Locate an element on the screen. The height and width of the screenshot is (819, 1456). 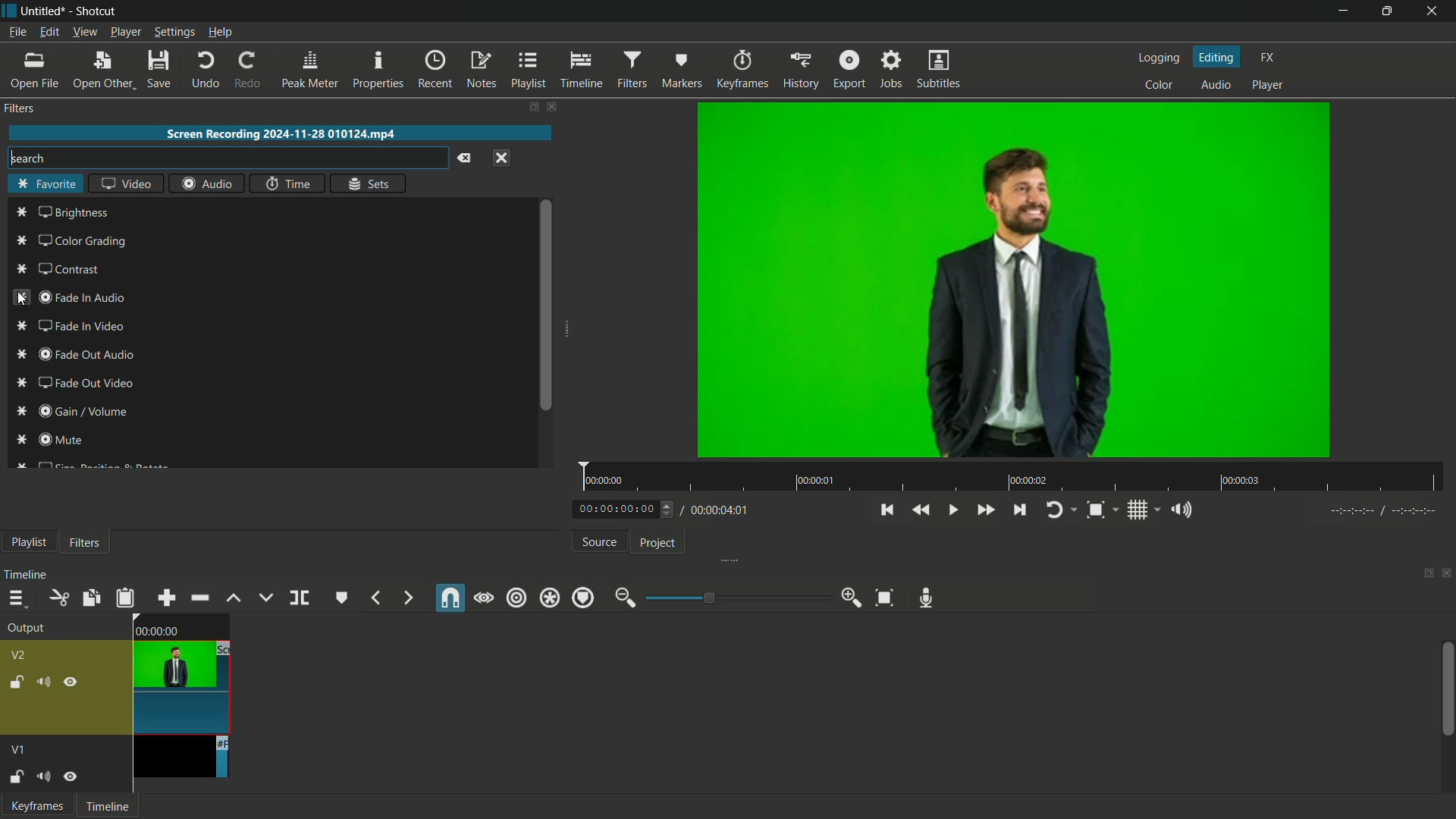
player menu is located at coordinates (125, 32).